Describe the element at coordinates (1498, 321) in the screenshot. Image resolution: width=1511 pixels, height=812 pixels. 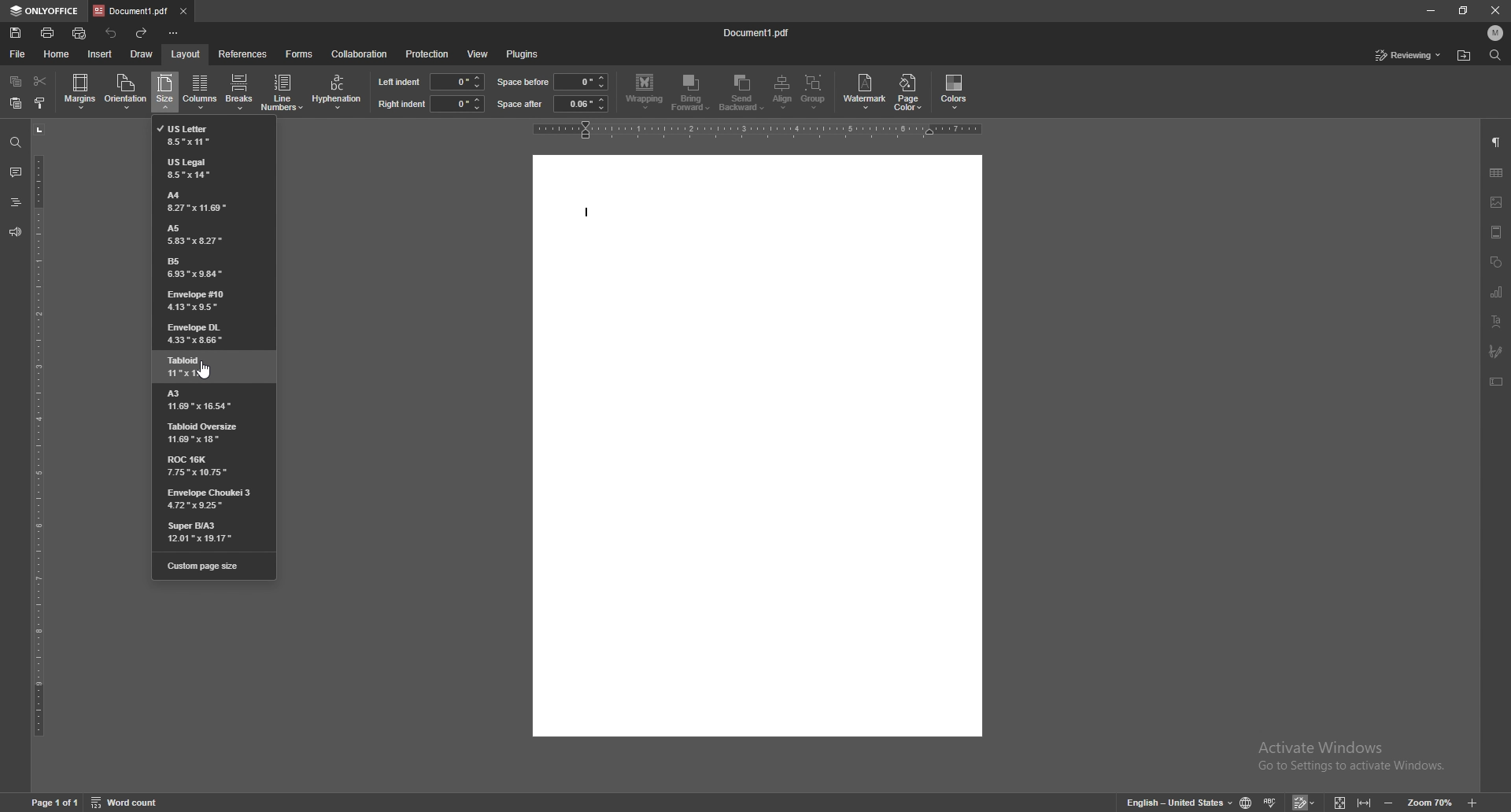
I see `text art` at that location.